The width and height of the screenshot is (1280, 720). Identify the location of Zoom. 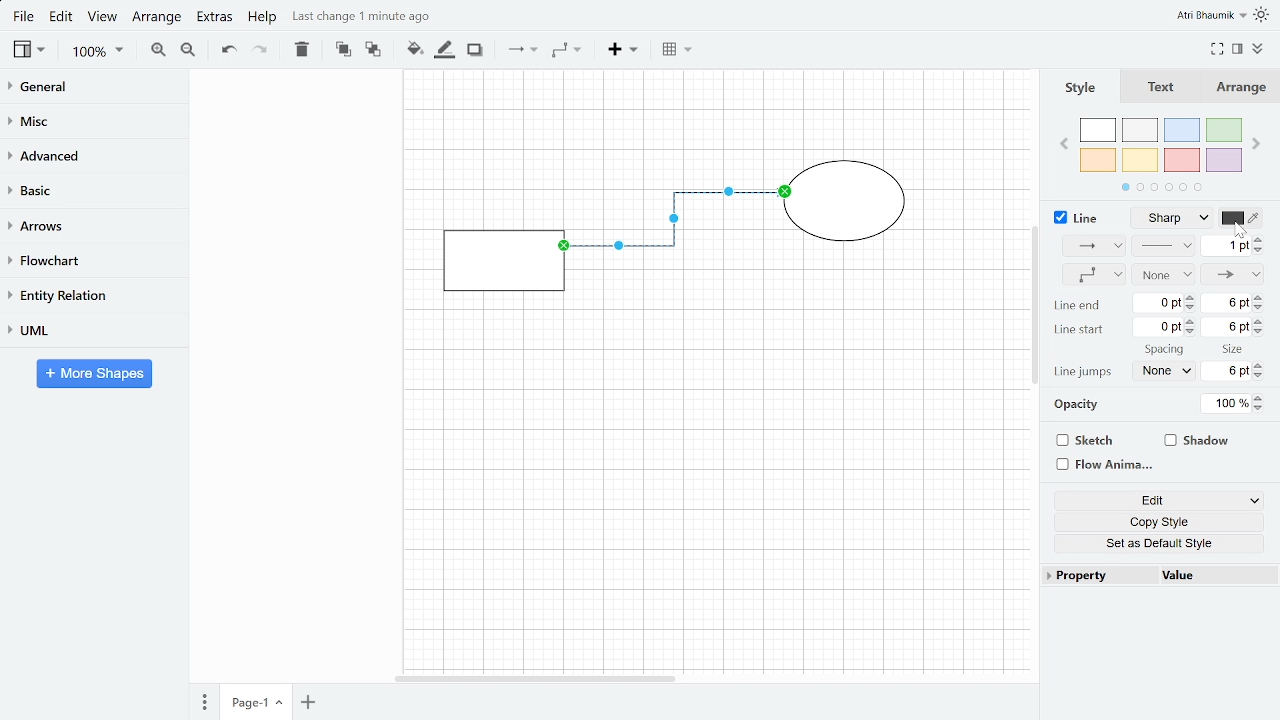
(97, 53).